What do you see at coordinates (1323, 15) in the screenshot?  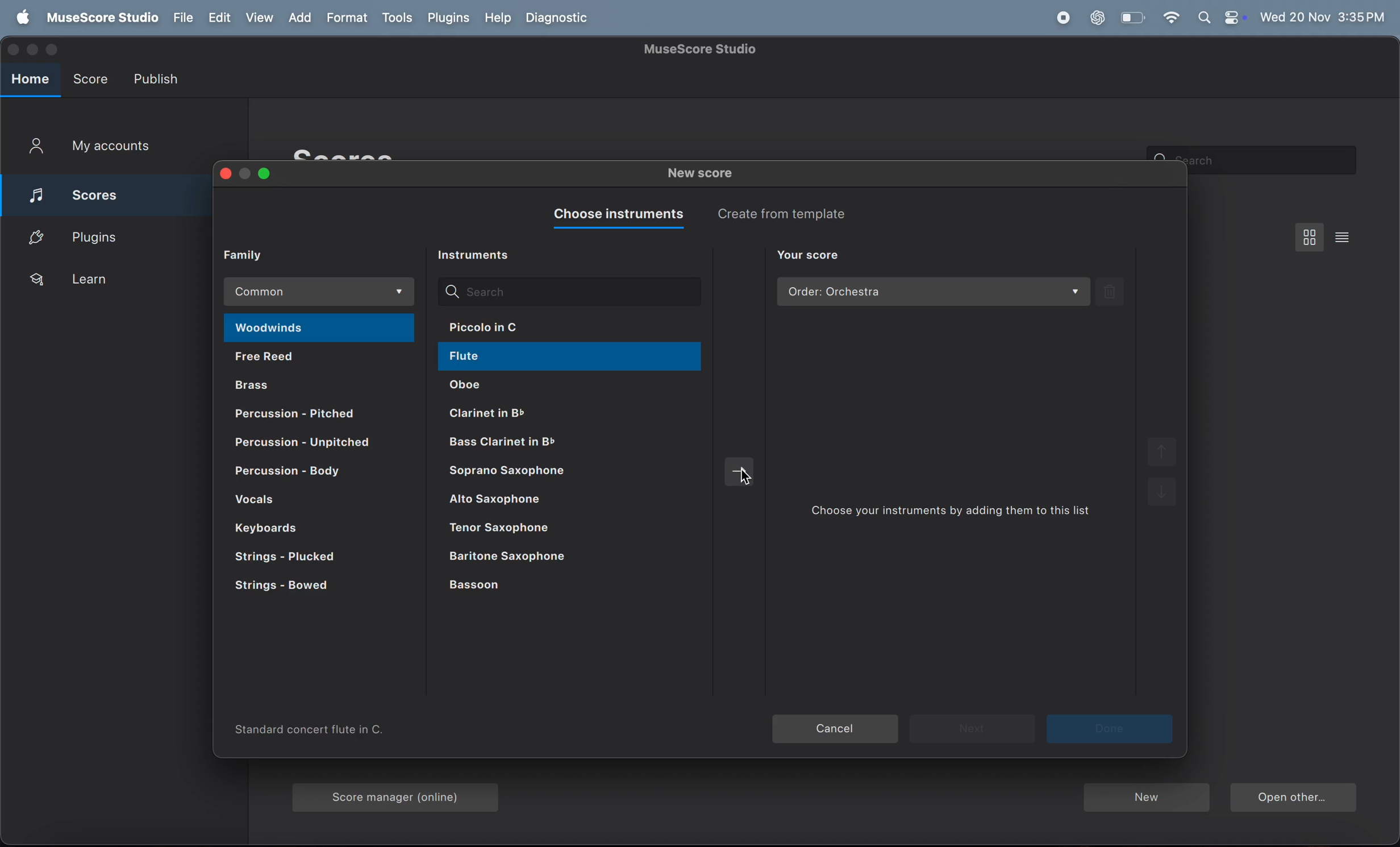 I see `date and time` at bounding box center [1323, 15].